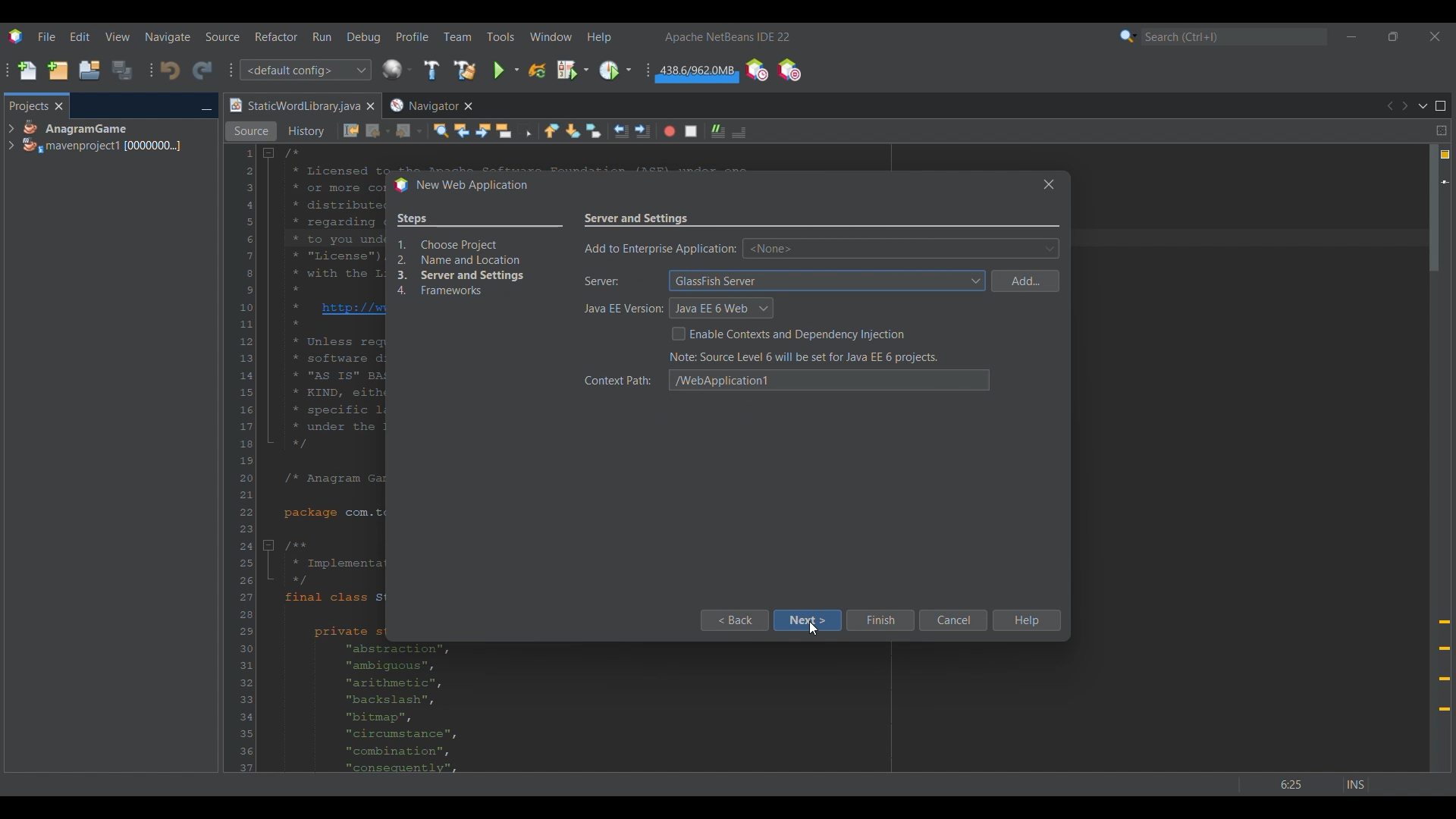  Describe the element at coordinates (322, 36) in the screenshot. I see `Run menu` at that location.